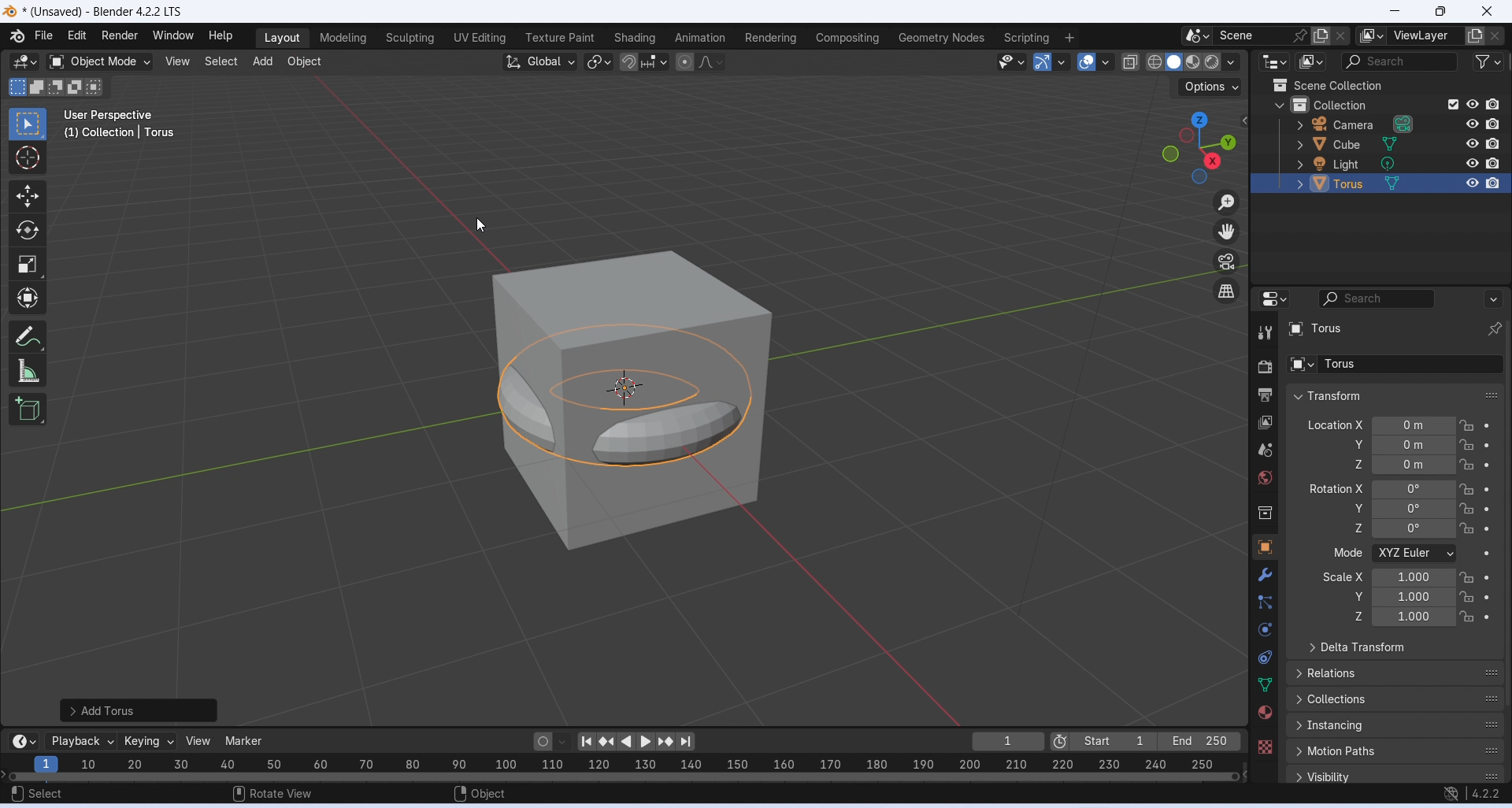  Describe the element at coordinates (1115, 742) in the screenshot. I see `Start 1` at that location.